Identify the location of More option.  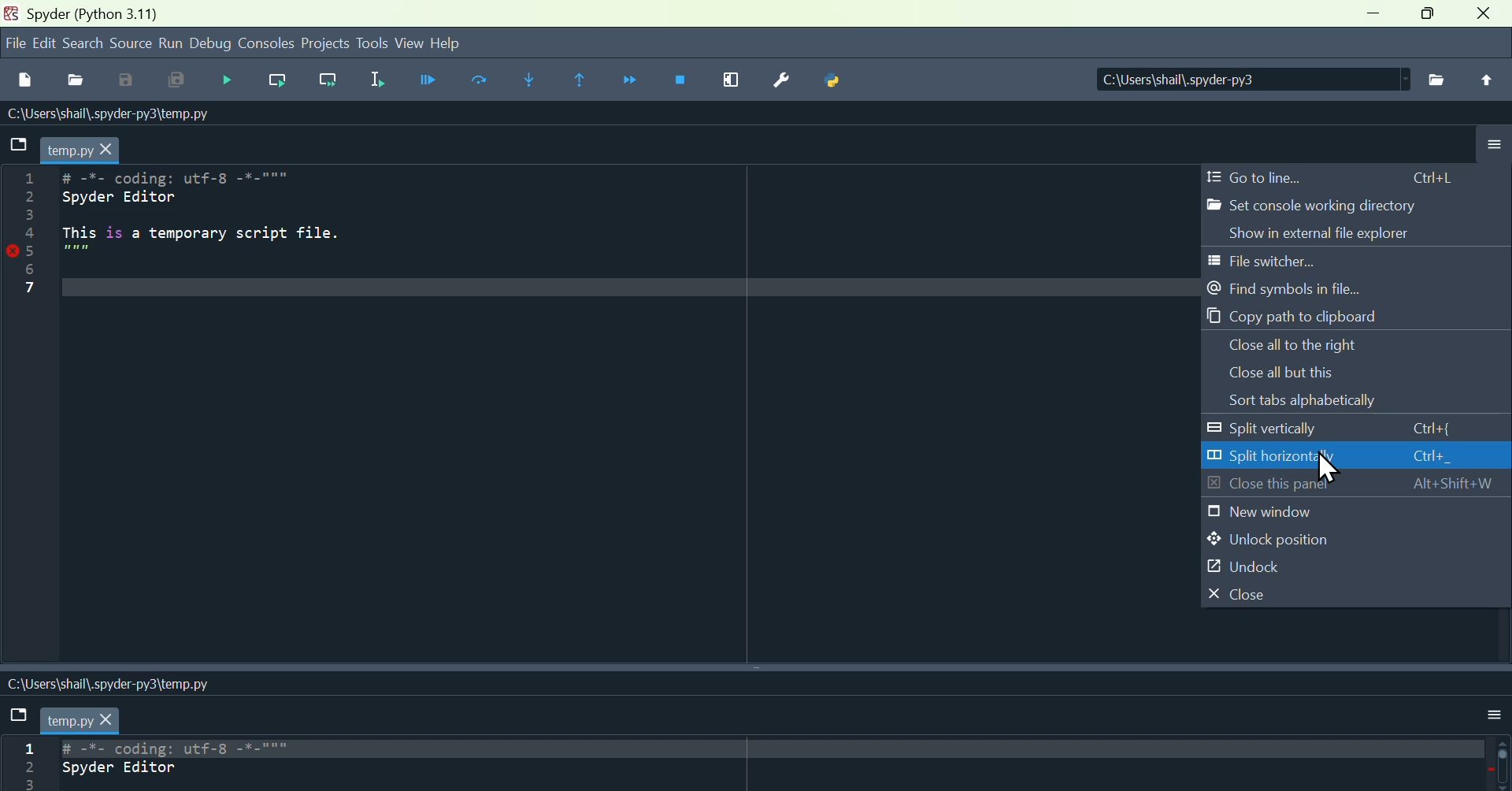
(1480, 715).